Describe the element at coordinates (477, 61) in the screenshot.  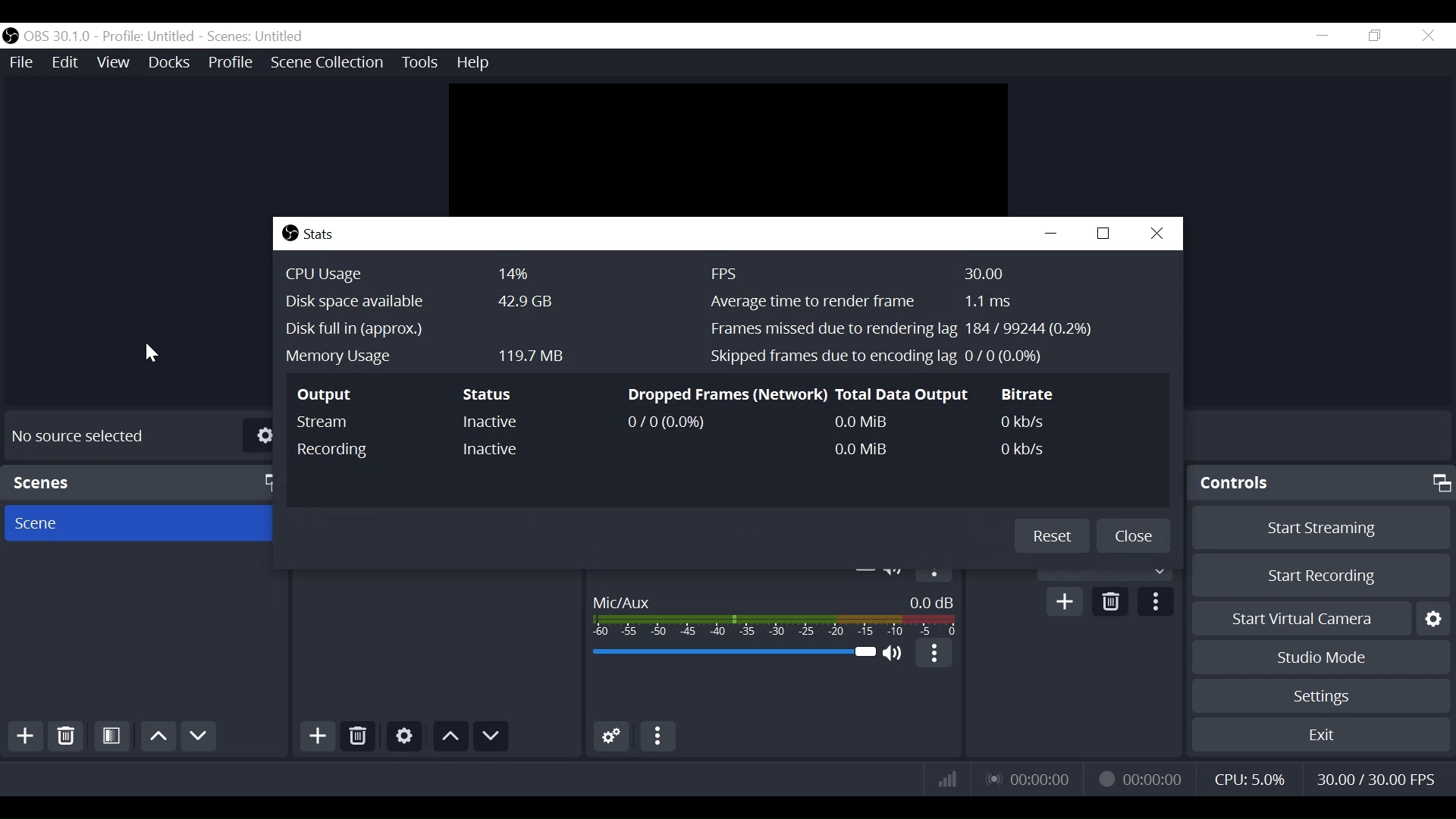
I see `Help` at that location.